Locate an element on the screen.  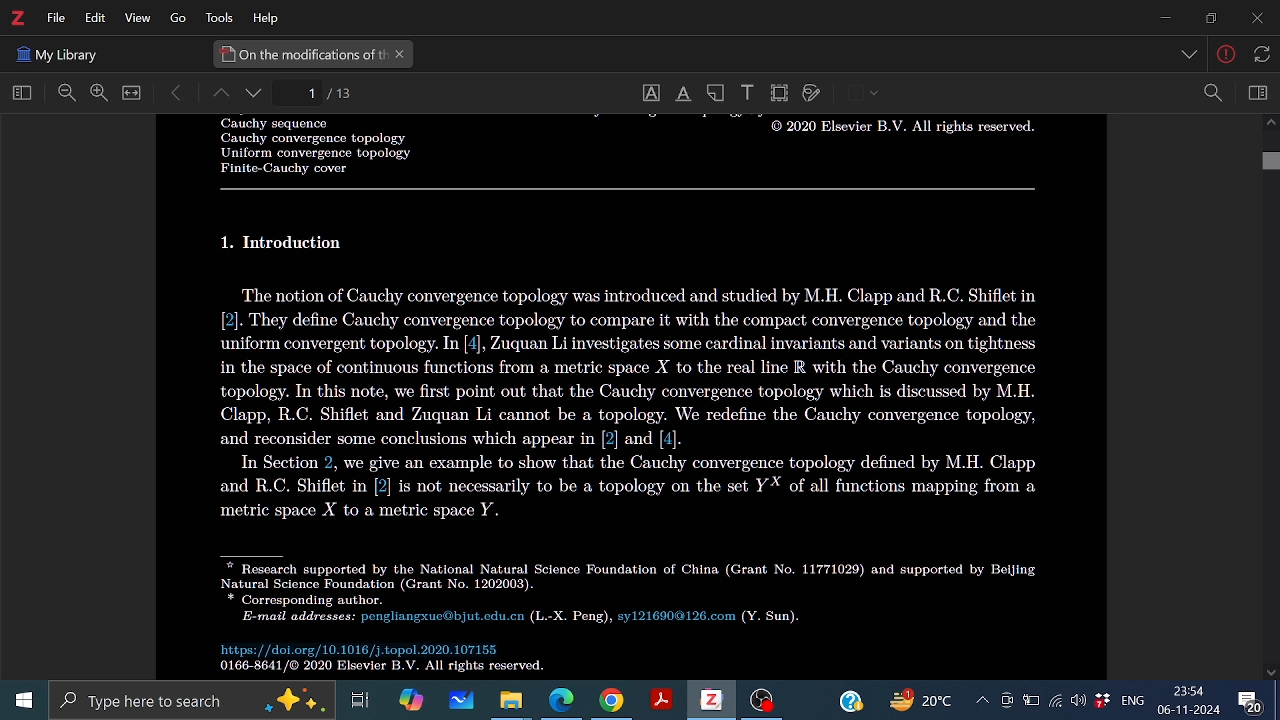
Google chorme is located at coordinates (610, 701).